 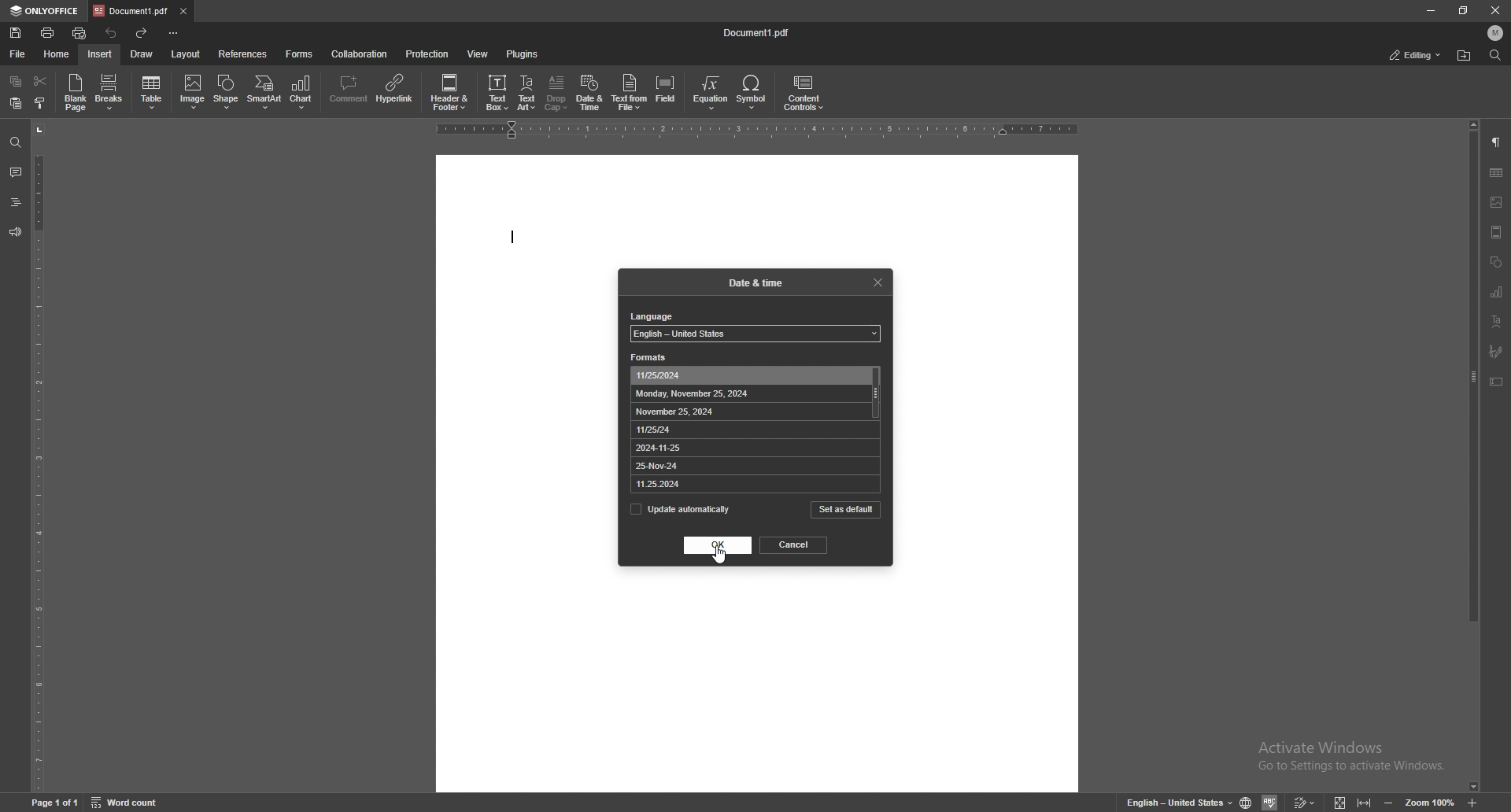 What do you see at coordinates (152, 94) in the screenshot?
I see `table` at bounding box center [152, 94].